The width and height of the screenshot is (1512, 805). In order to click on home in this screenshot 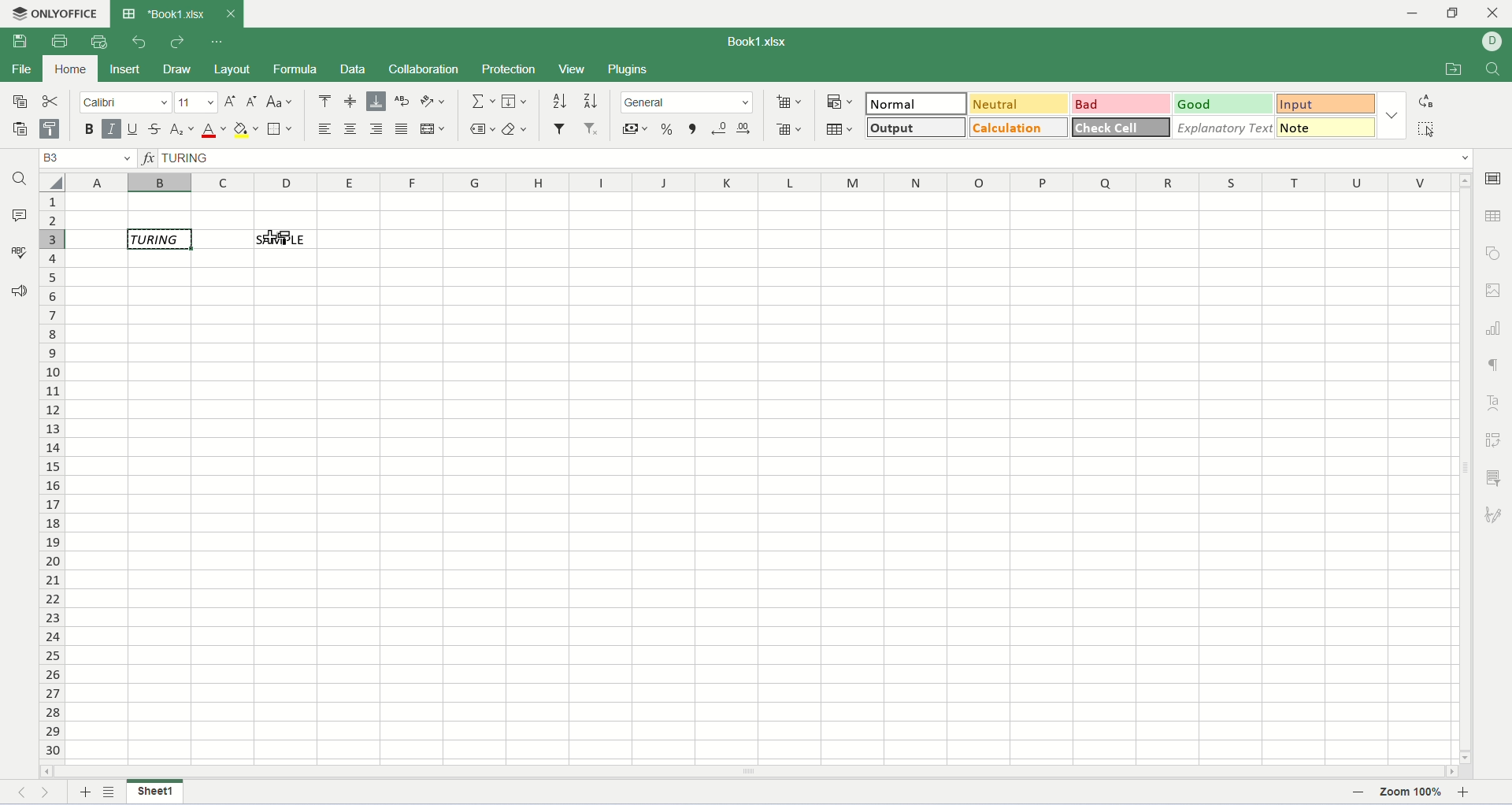, I will do `click(70, 69)`.